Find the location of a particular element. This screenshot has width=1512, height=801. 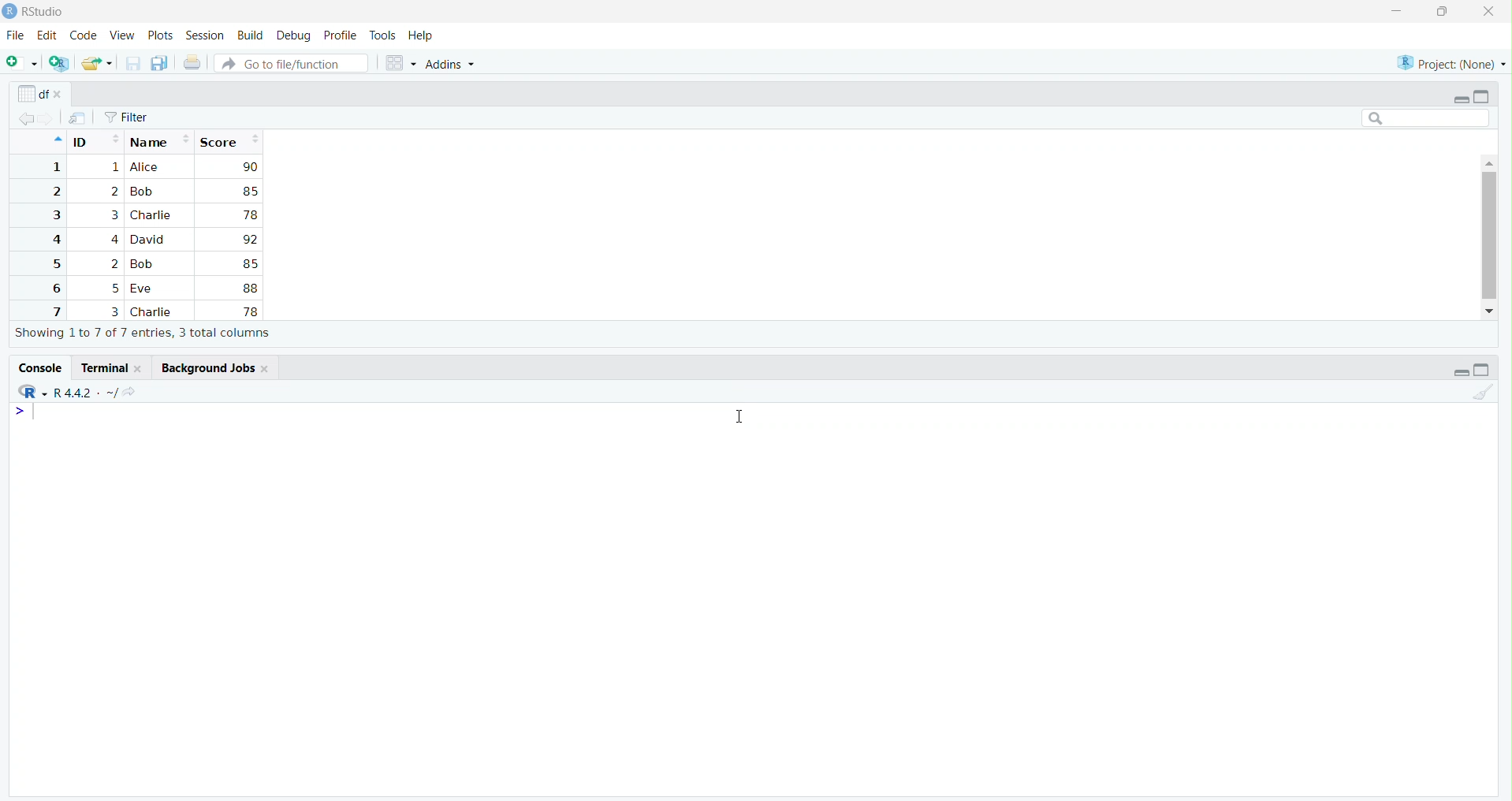

view options is located at coordinates (400, 63).